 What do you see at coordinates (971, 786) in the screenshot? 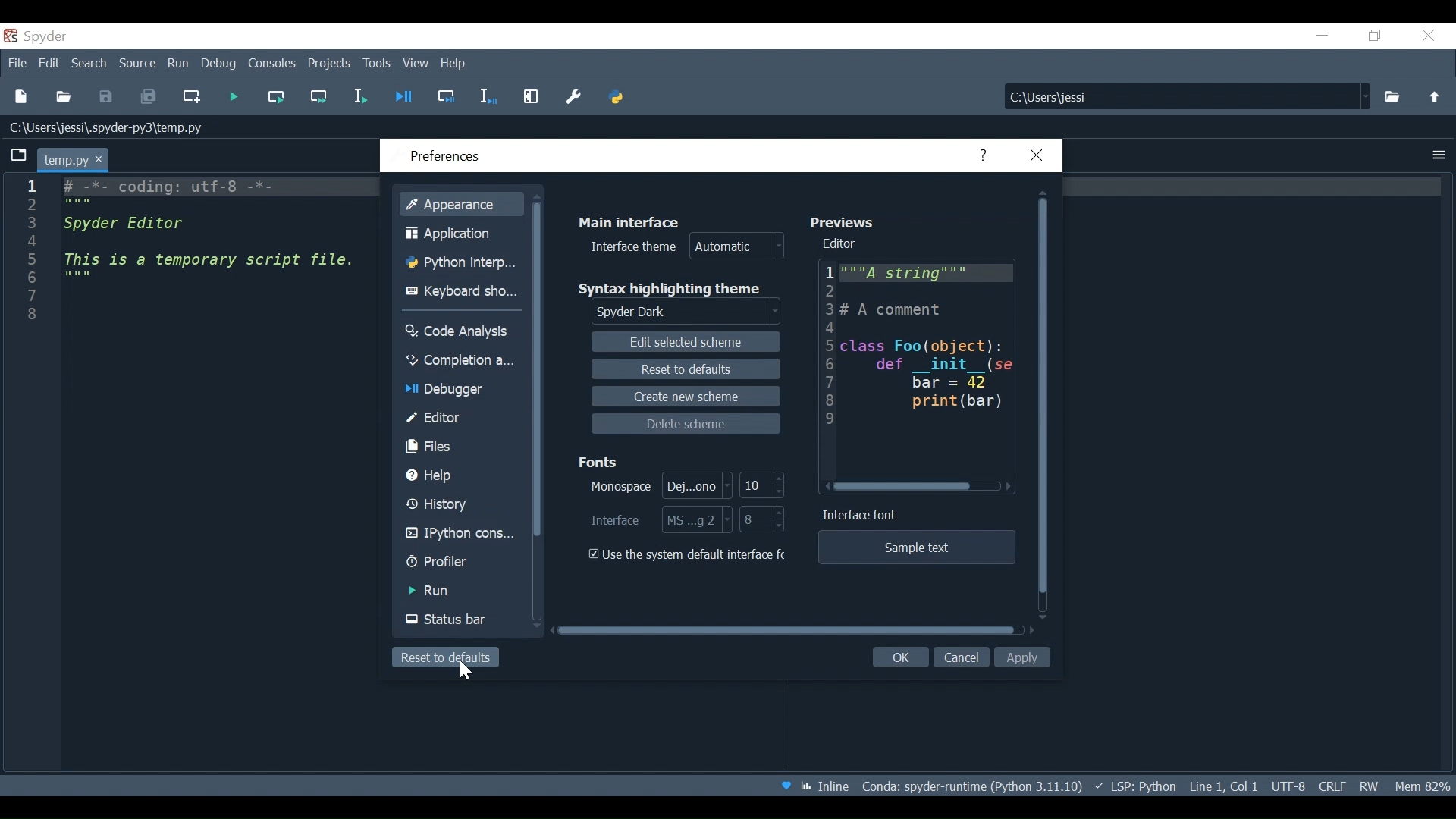
I see `Conda: Spyder-runtime` at bounding box center [971, 786].